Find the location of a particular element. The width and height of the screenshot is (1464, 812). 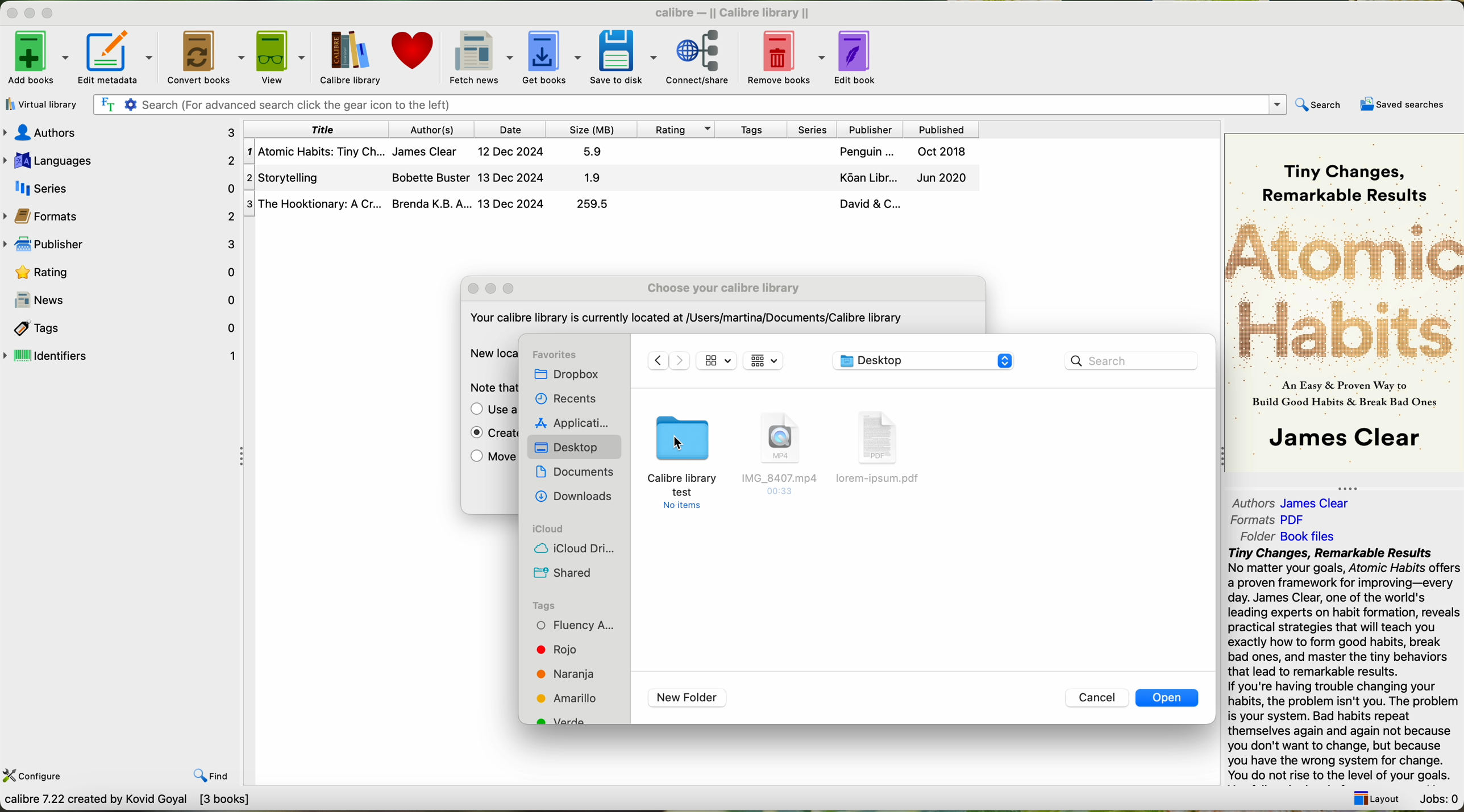

favorites is located at coordinates (555, 355).